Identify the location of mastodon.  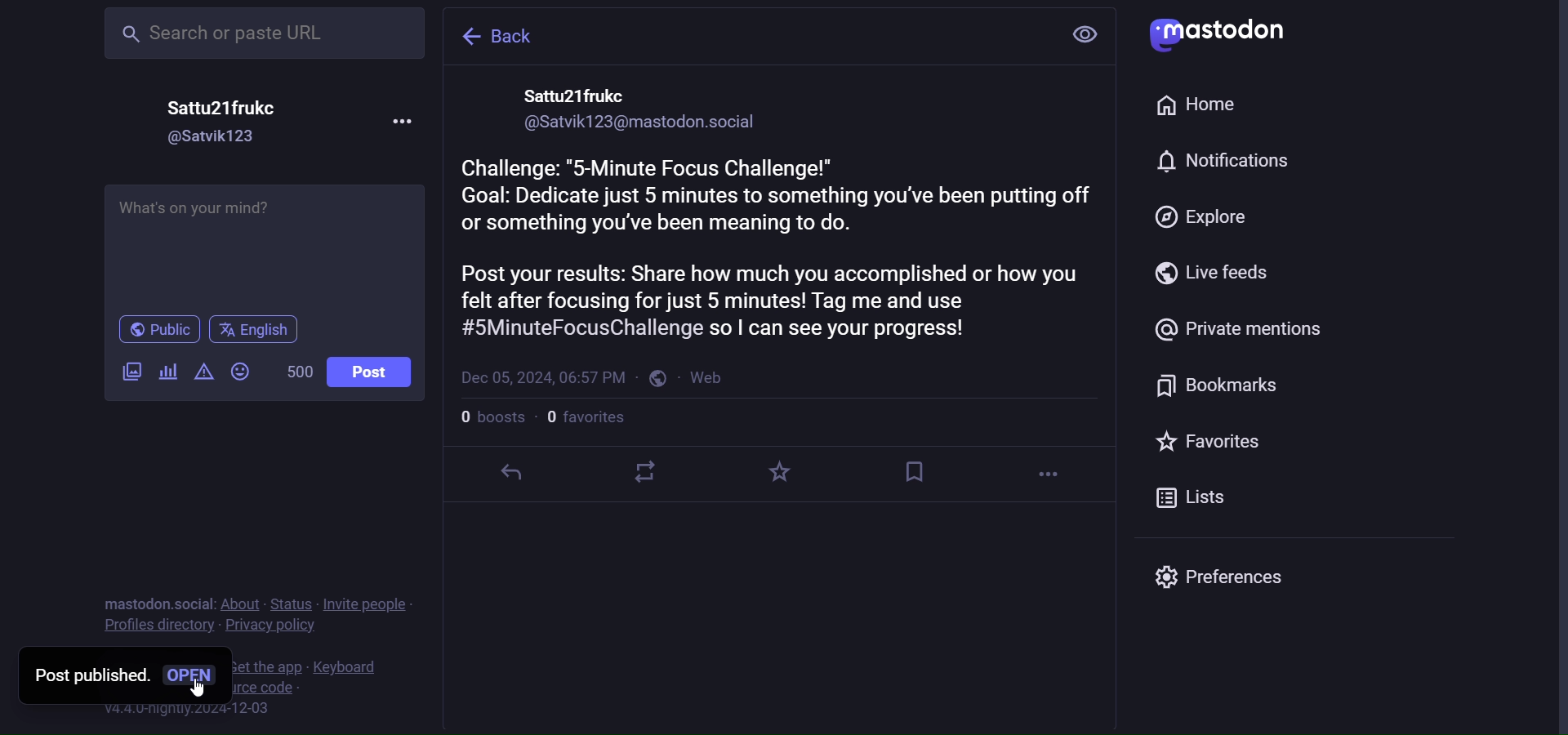
(1226, 32).